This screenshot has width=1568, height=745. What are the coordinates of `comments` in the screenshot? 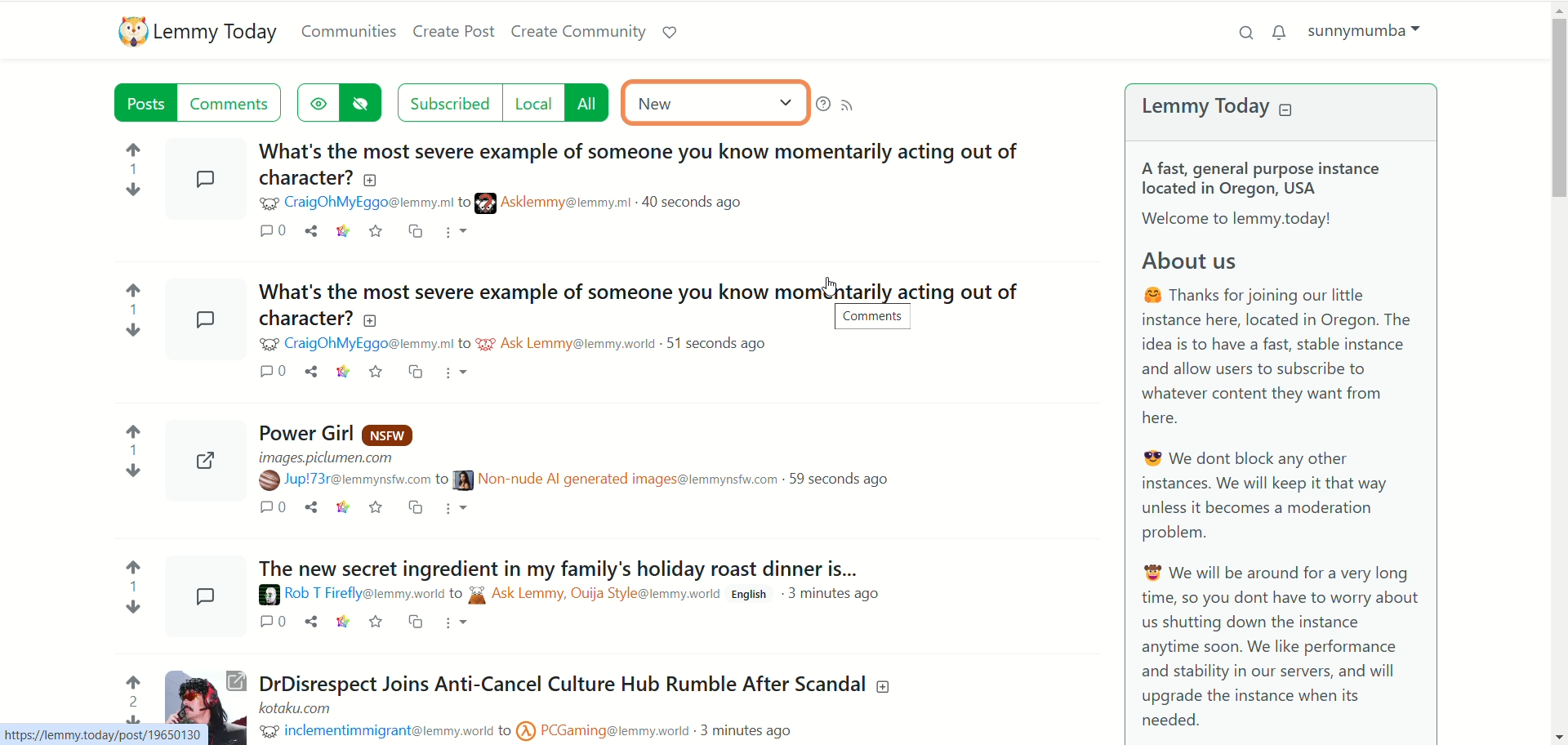 It's located at (273, 507).